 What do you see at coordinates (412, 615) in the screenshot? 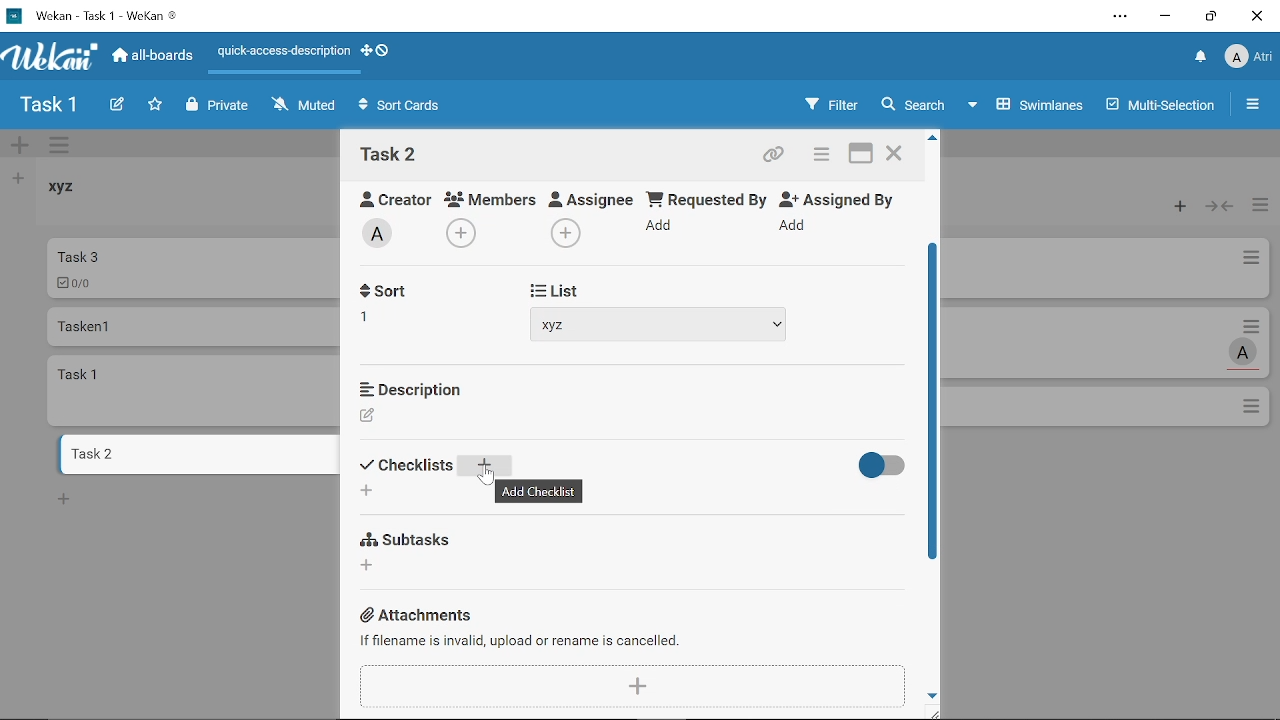
I see `Attachments` at bounding box center [412, 615].